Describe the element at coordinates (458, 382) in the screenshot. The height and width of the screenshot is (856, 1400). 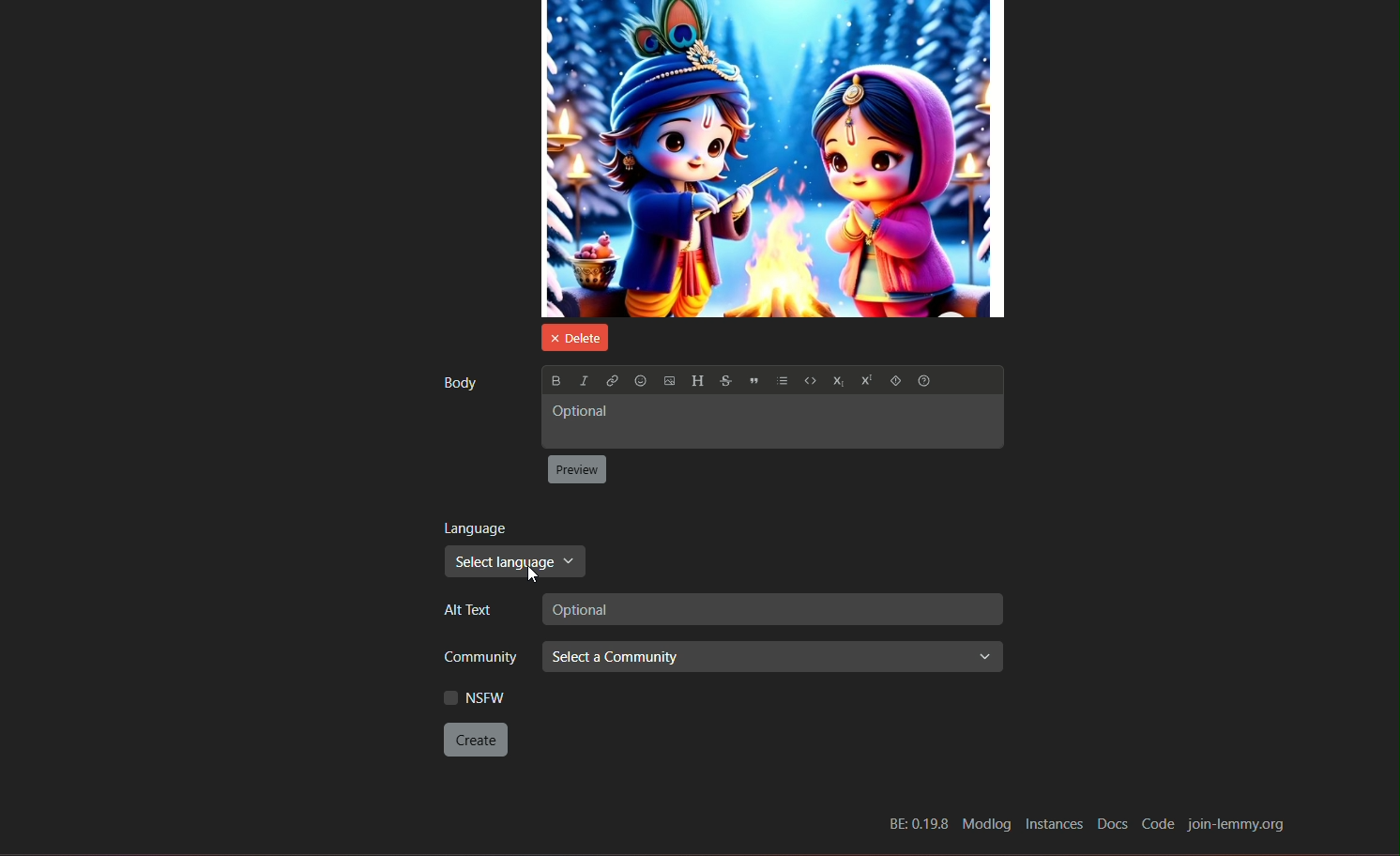
I see `body` at that location.